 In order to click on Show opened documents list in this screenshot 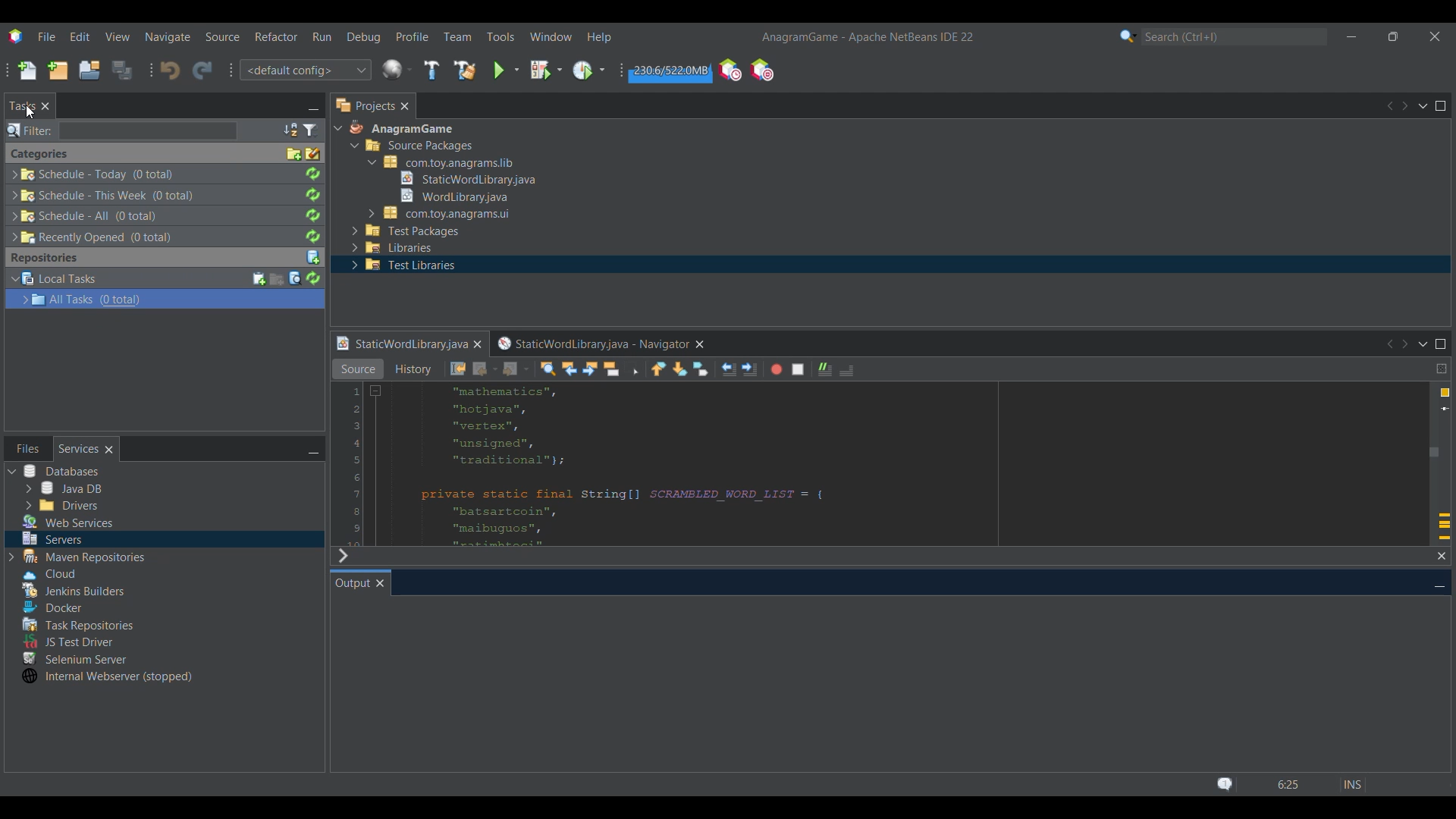, I will do `click(1423, 106)`.